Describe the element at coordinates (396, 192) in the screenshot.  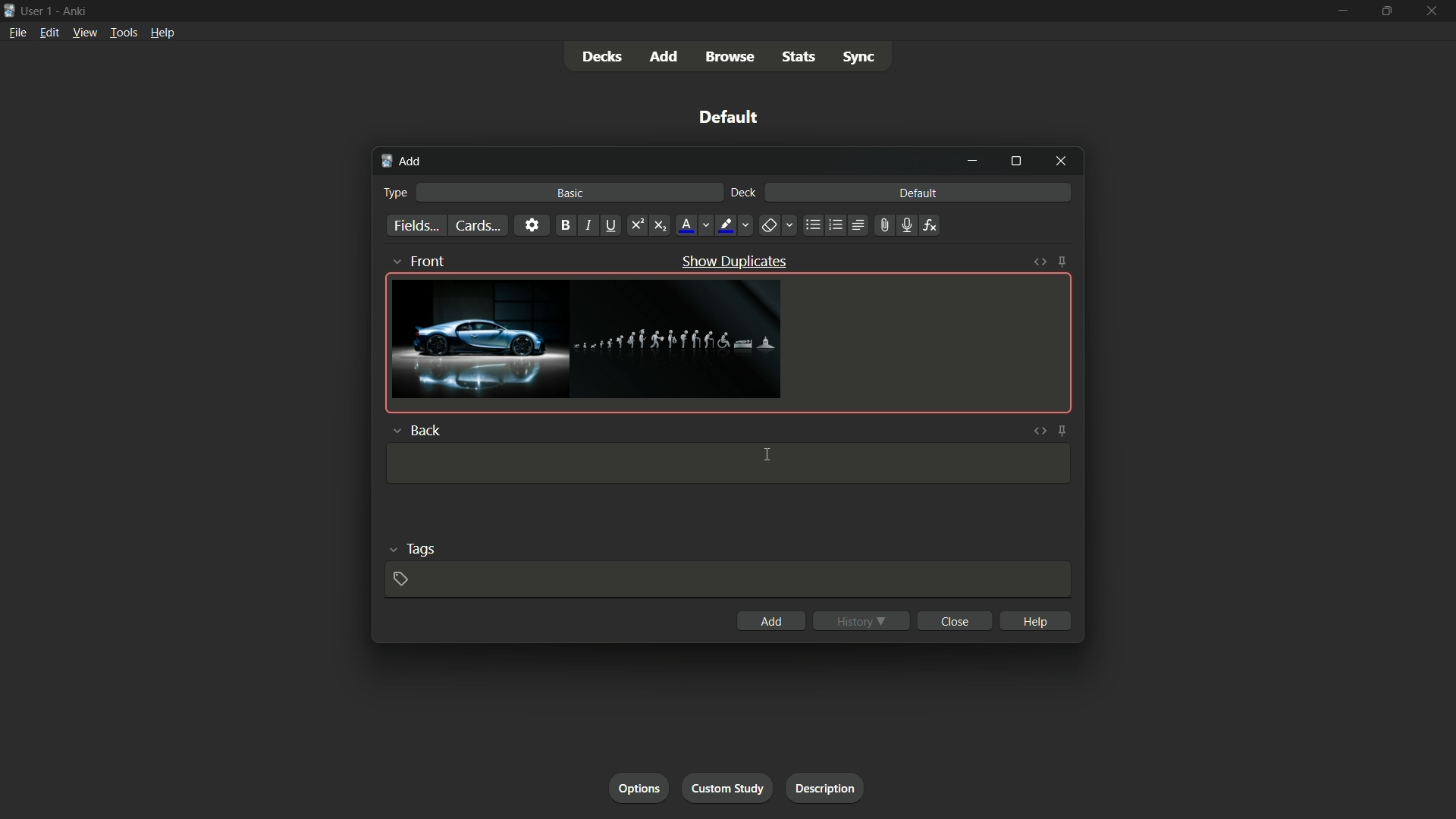
I see `type` at that location.